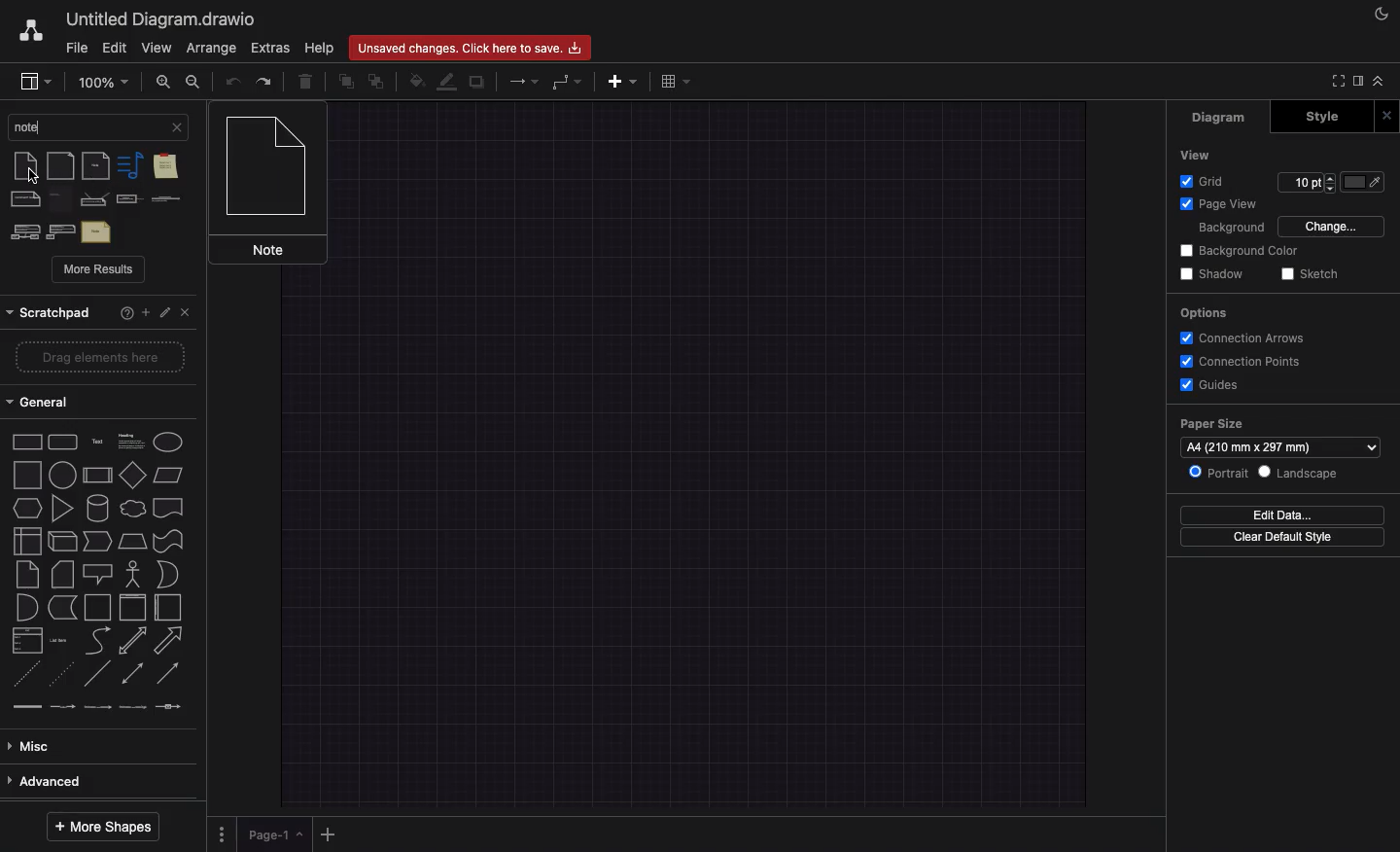  I want to click on vertical container, so click(132, 607).